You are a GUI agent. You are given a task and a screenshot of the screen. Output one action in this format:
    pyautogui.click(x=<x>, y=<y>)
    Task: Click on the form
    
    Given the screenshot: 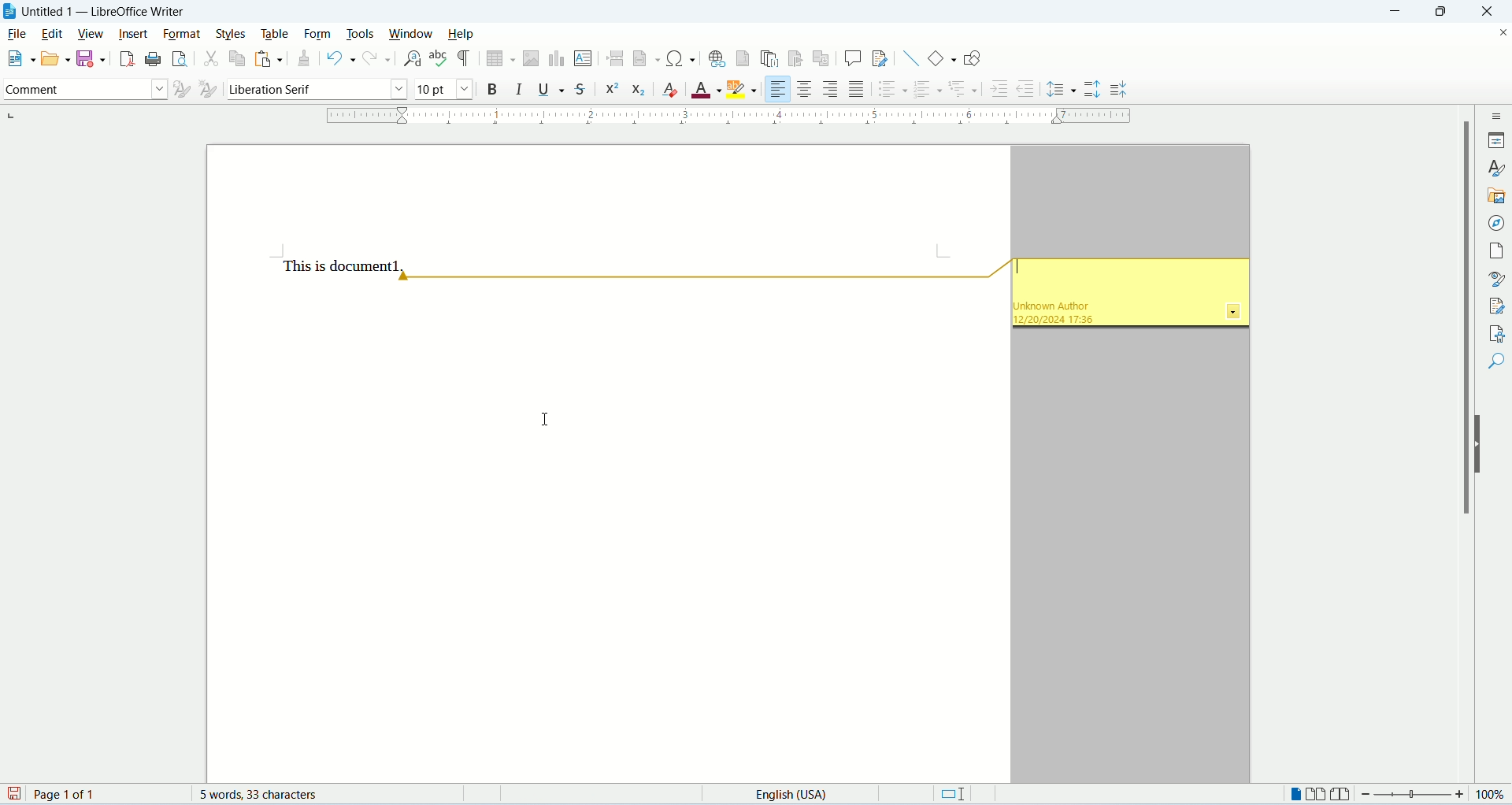 What is the action you would take?
    pyautogui.click(x=322, y=34)
    